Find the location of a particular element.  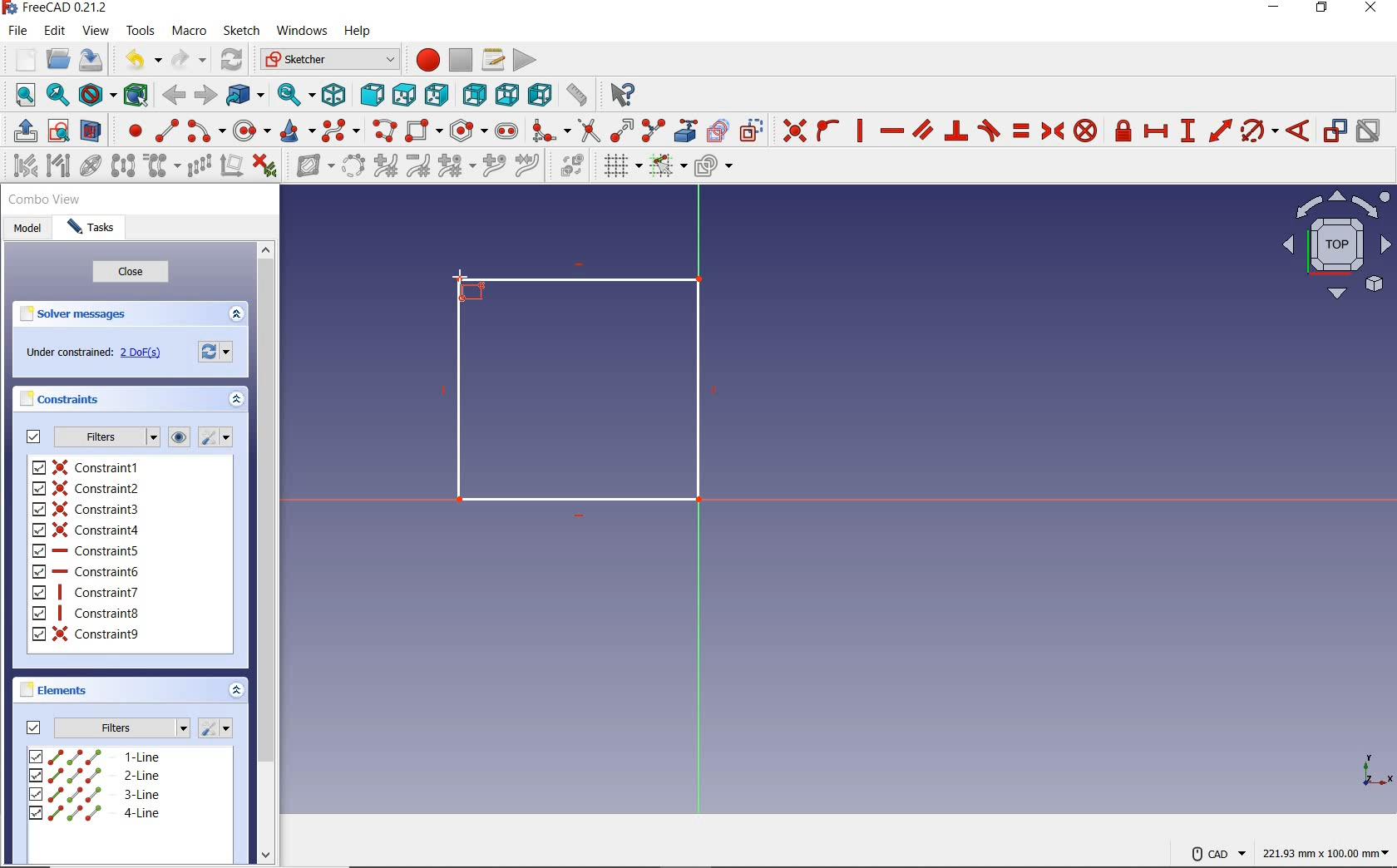

sketch is located at coordinates (242, 31).